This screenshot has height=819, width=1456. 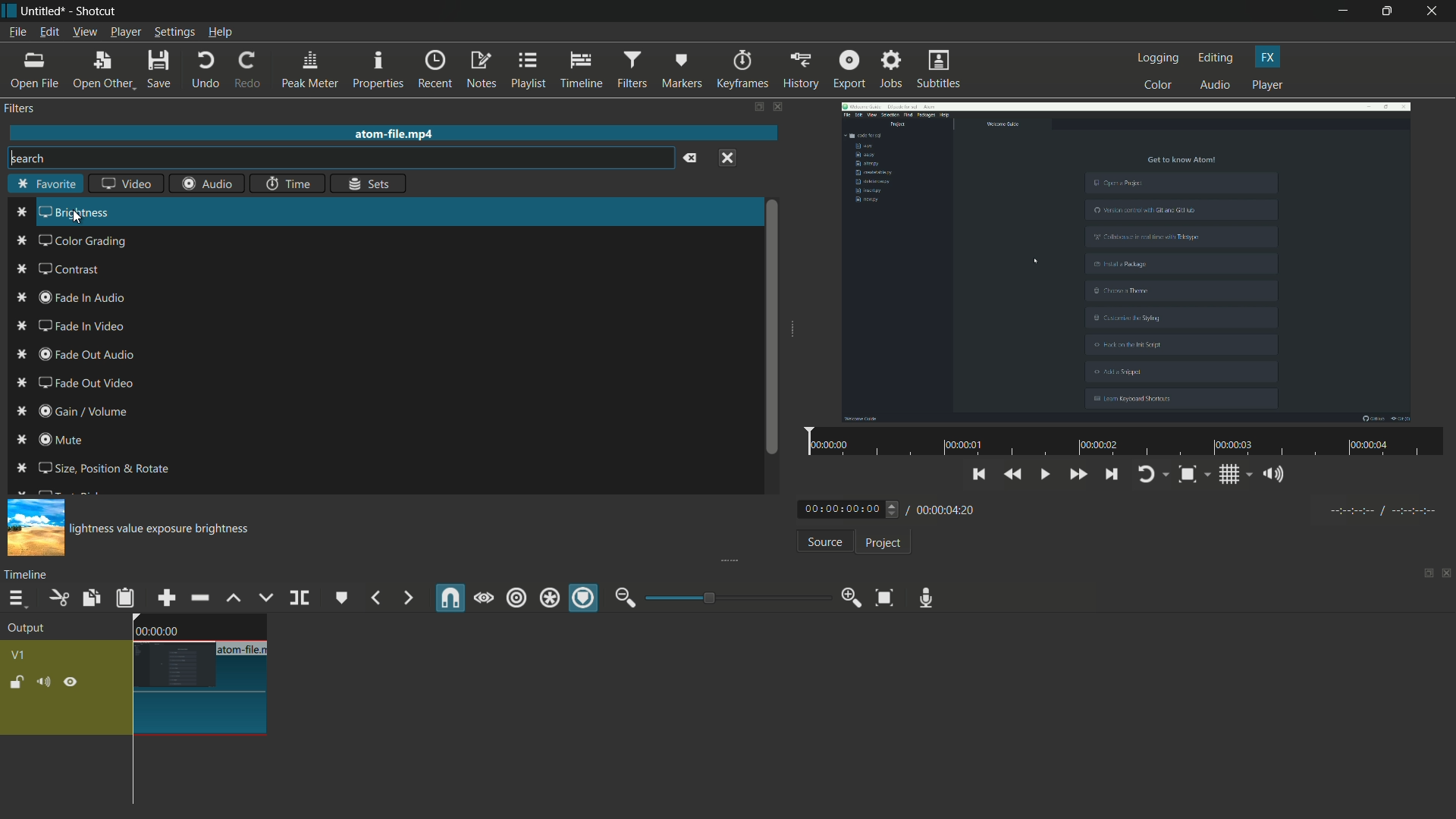 What do you see at coordinates (84, 32) in the screenshot?
I see `view menu` at bounding box center [84, 32].